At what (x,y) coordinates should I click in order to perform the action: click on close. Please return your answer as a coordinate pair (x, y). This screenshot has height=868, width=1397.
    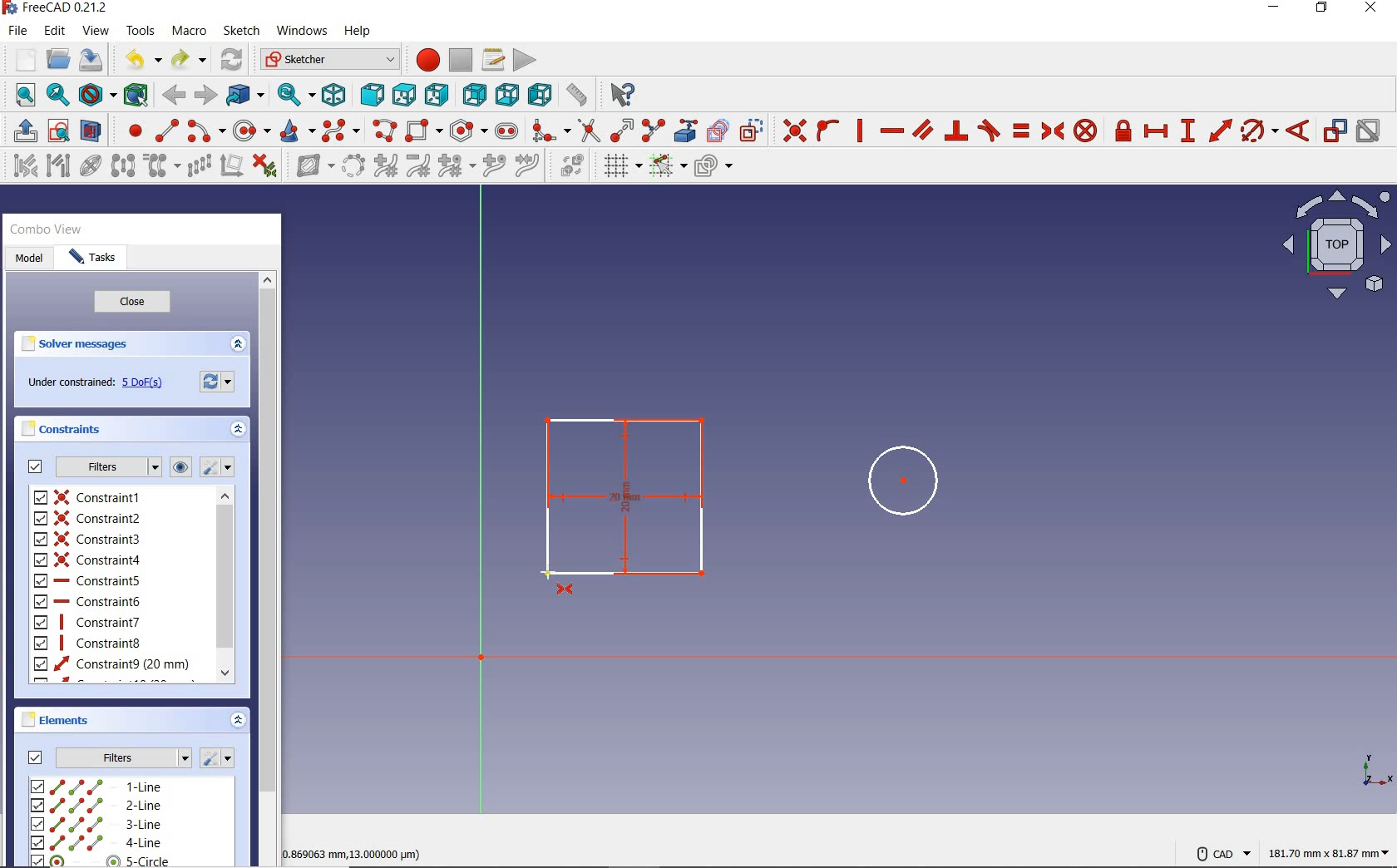
    Looking at the image, I should click on (140, 303).